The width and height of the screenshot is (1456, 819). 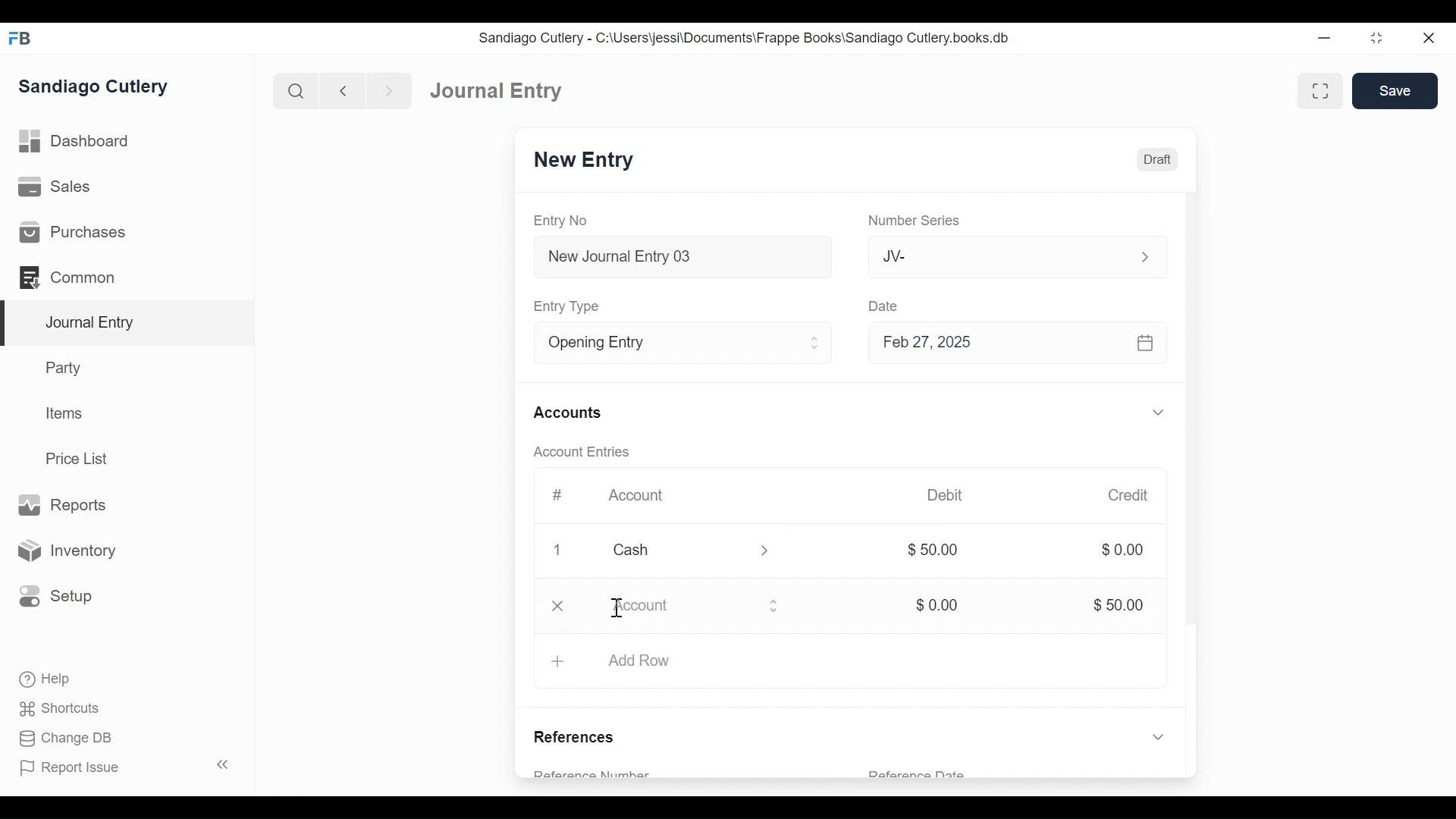 I want to click on Text cursor, so click(x=617, y=608).